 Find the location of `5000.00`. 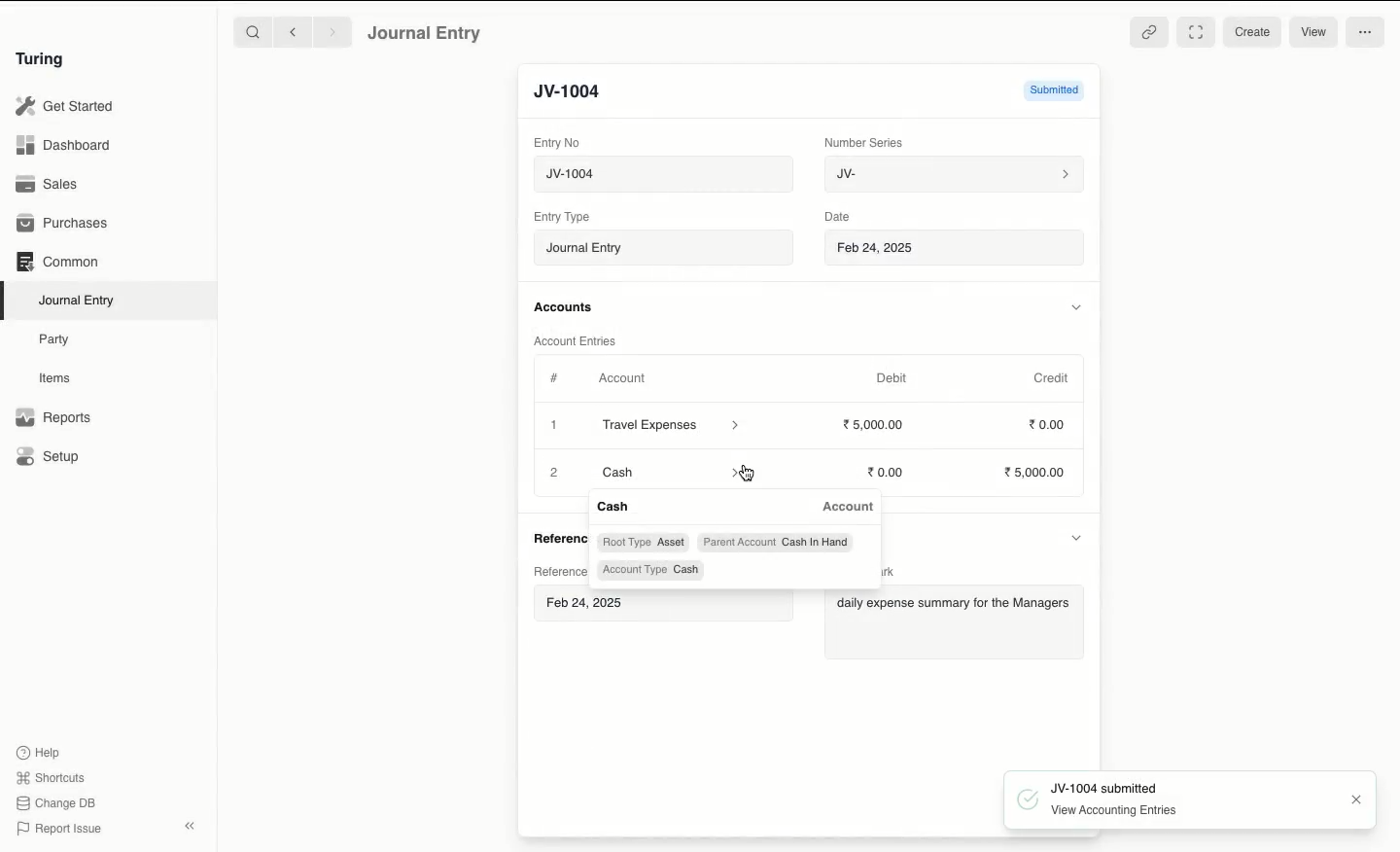

5000.00 is located at coordinates (875, 423).